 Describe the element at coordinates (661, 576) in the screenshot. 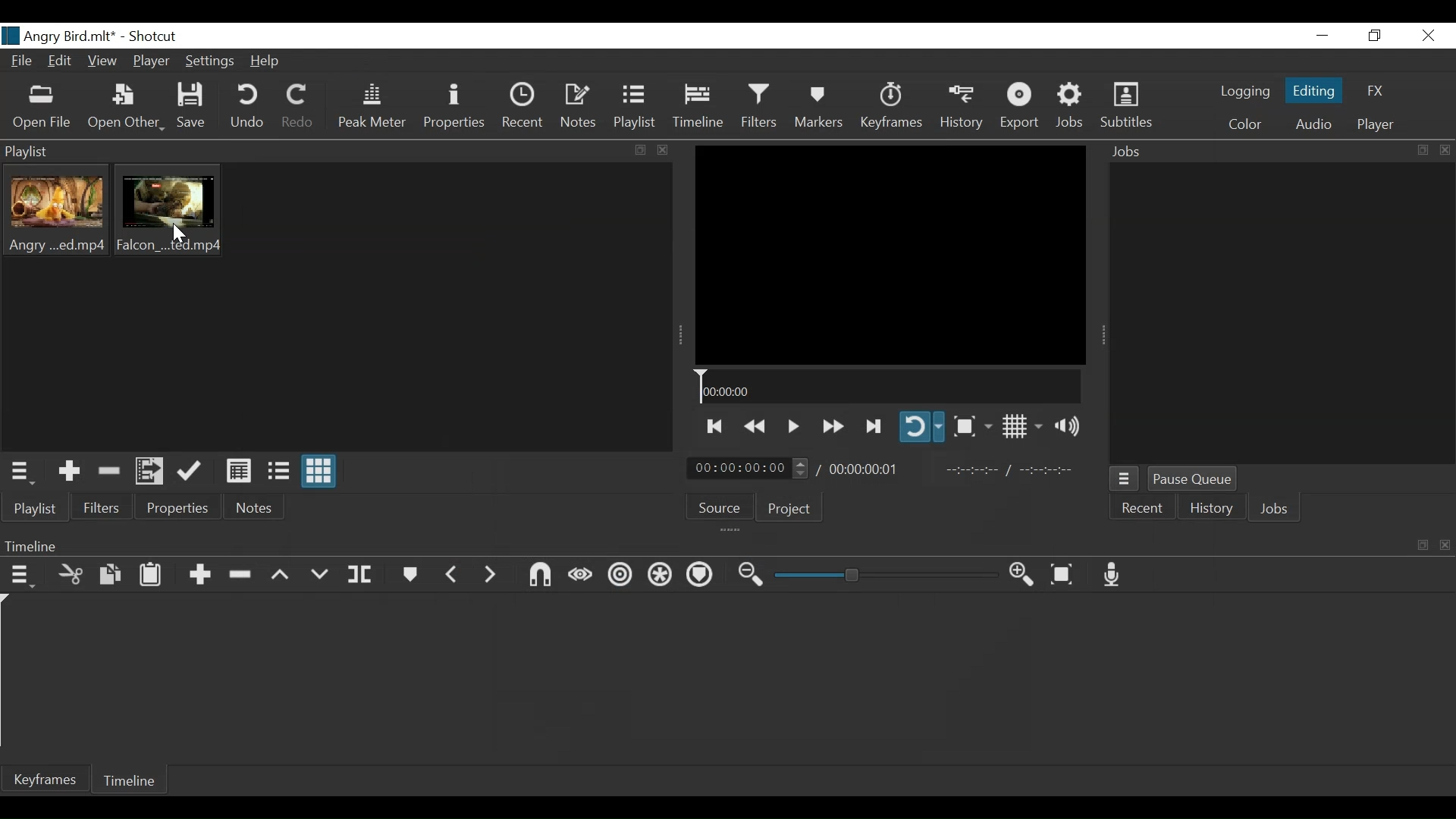

I see `Ripple all tracks` at that location.